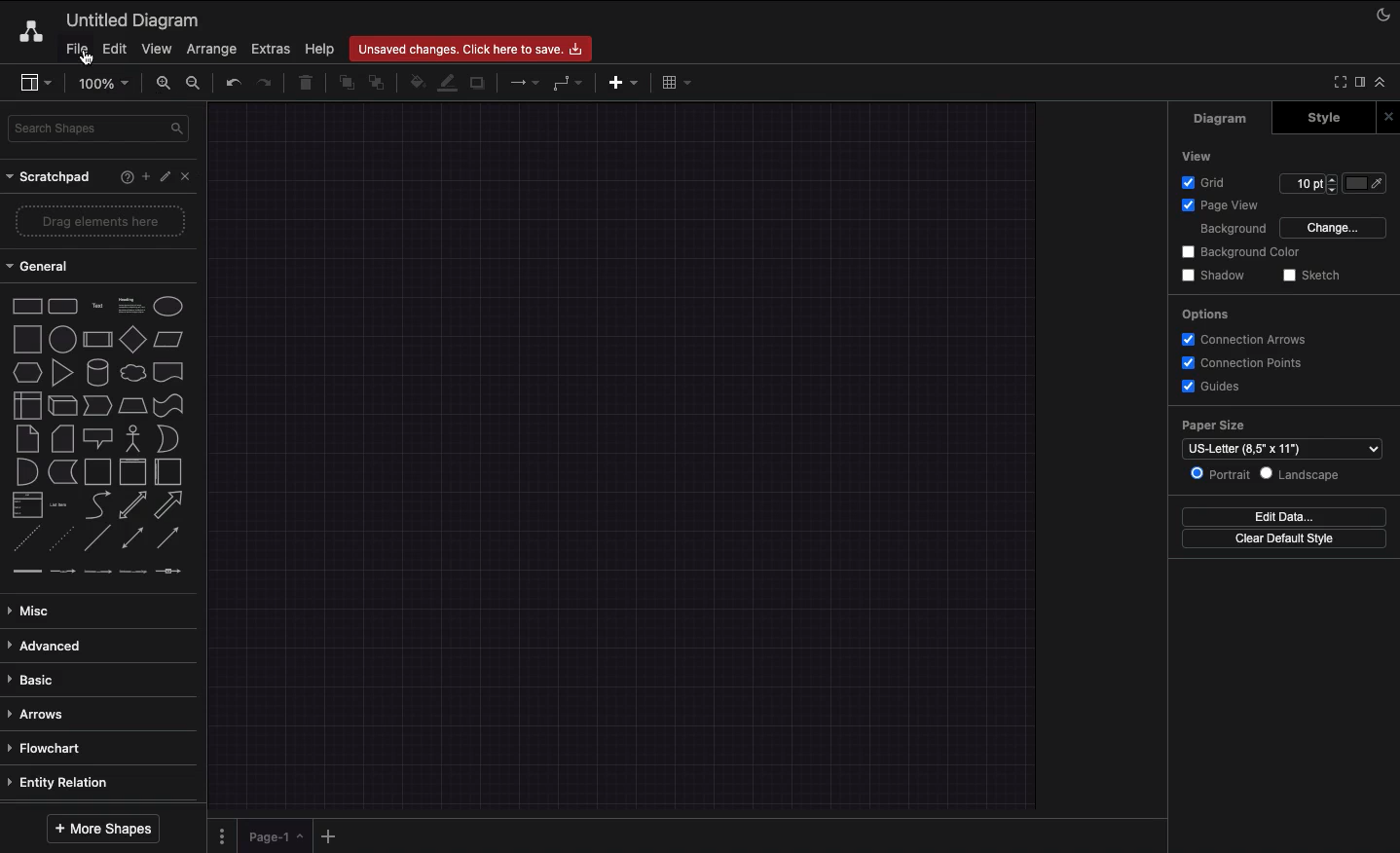  I want to click on Close, so click(1391, 116).